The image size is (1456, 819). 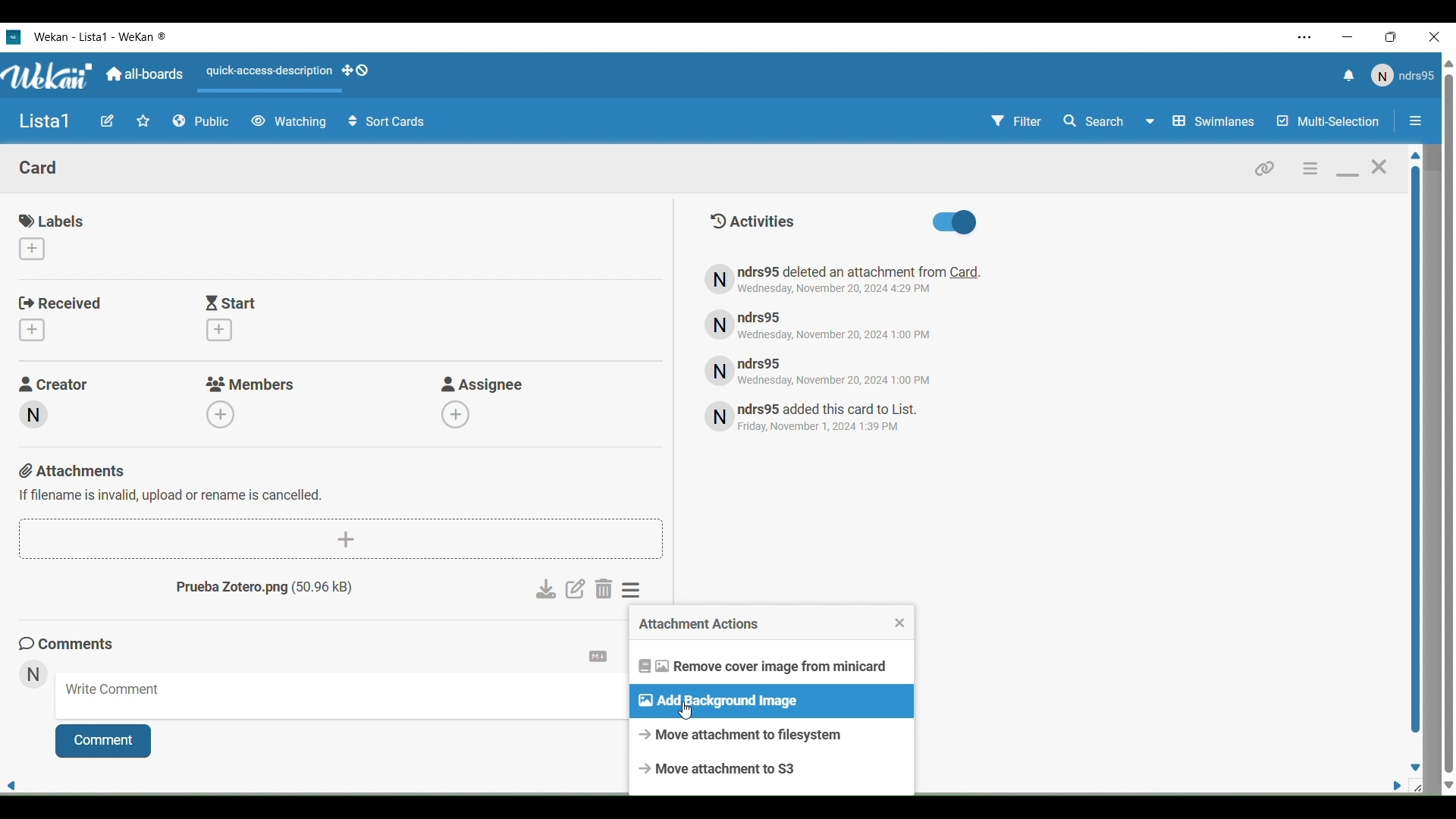 I want to click on Edit, so click(x=576, y=588).